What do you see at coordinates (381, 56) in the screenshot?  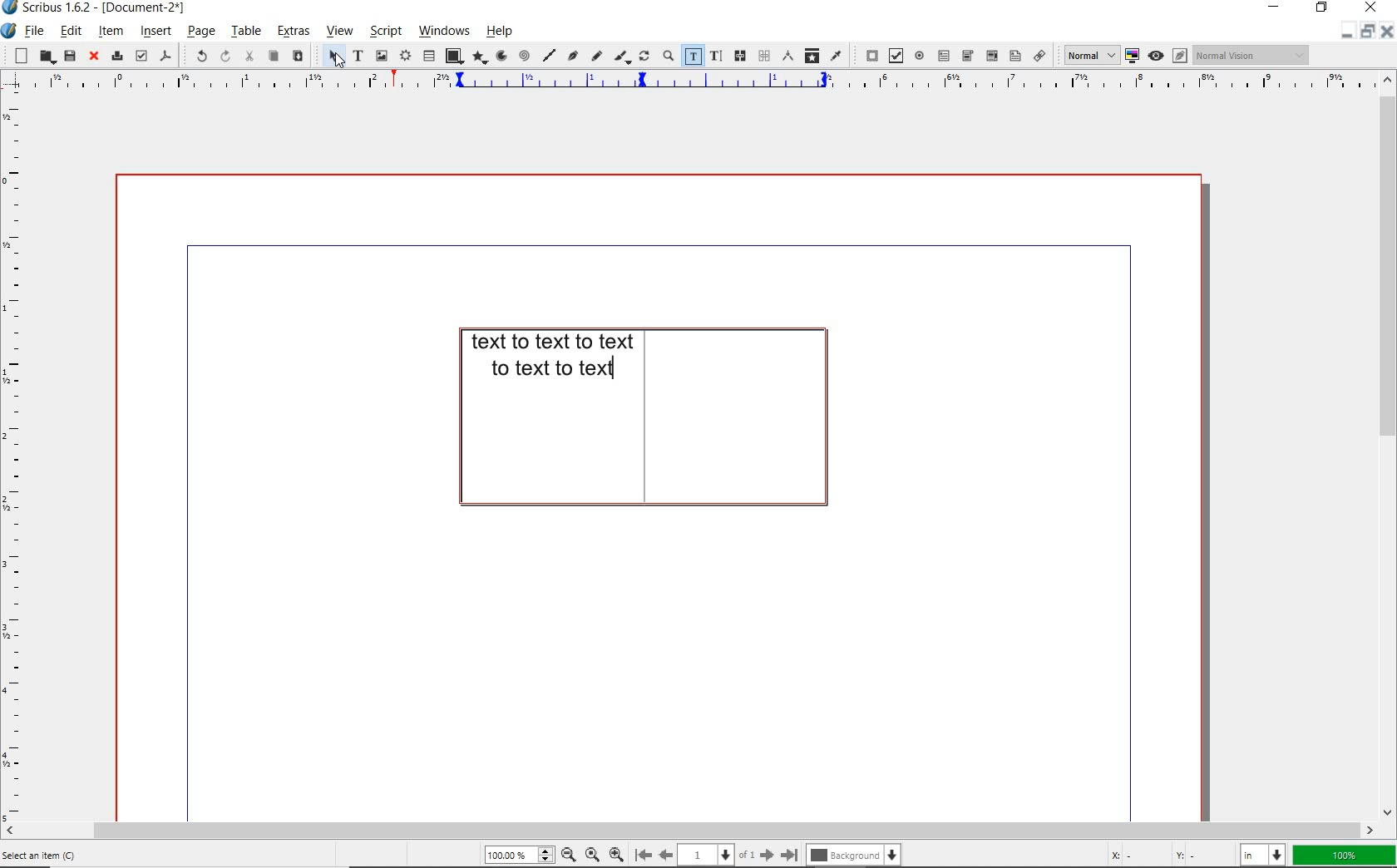 I see `image frame` at bounding box center [381, 56].